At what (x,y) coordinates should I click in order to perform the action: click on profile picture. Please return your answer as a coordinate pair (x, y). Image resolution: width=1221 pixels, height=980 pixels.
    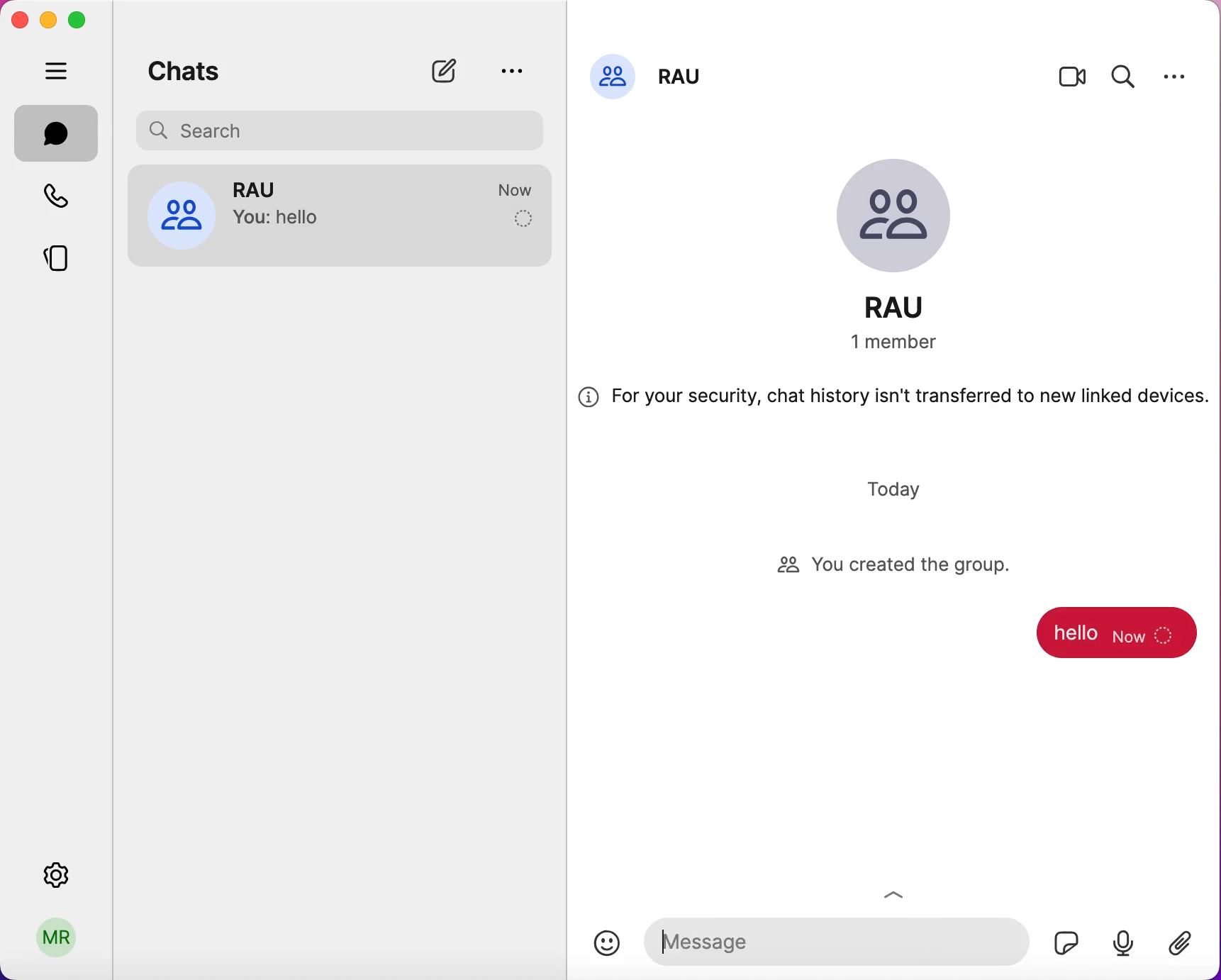
    Looking at the image, I should click on (181, 213).